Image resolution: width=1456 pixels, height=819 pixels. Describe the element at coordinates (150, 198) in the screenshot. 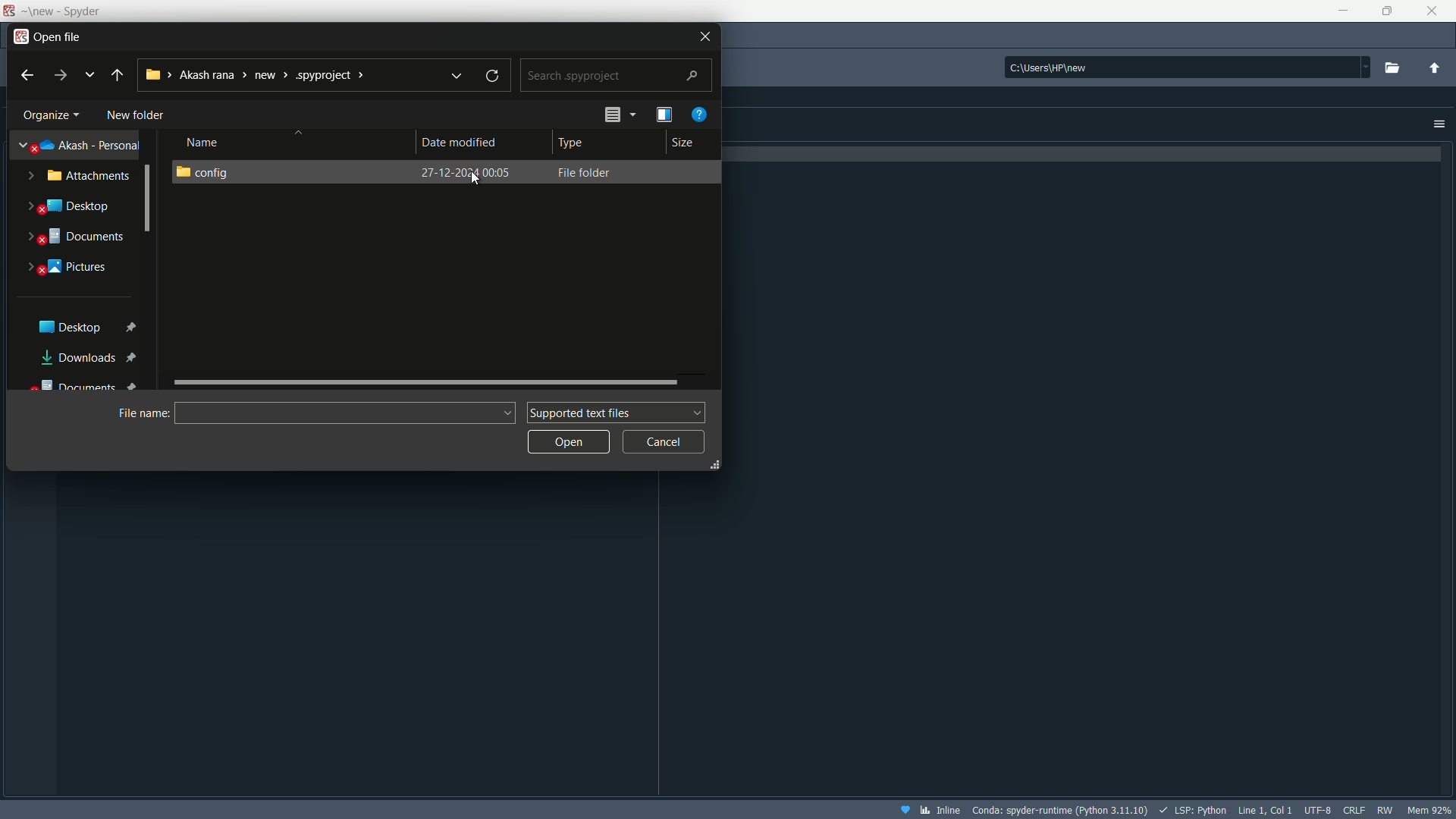

I see `Scrollbar` at that location.